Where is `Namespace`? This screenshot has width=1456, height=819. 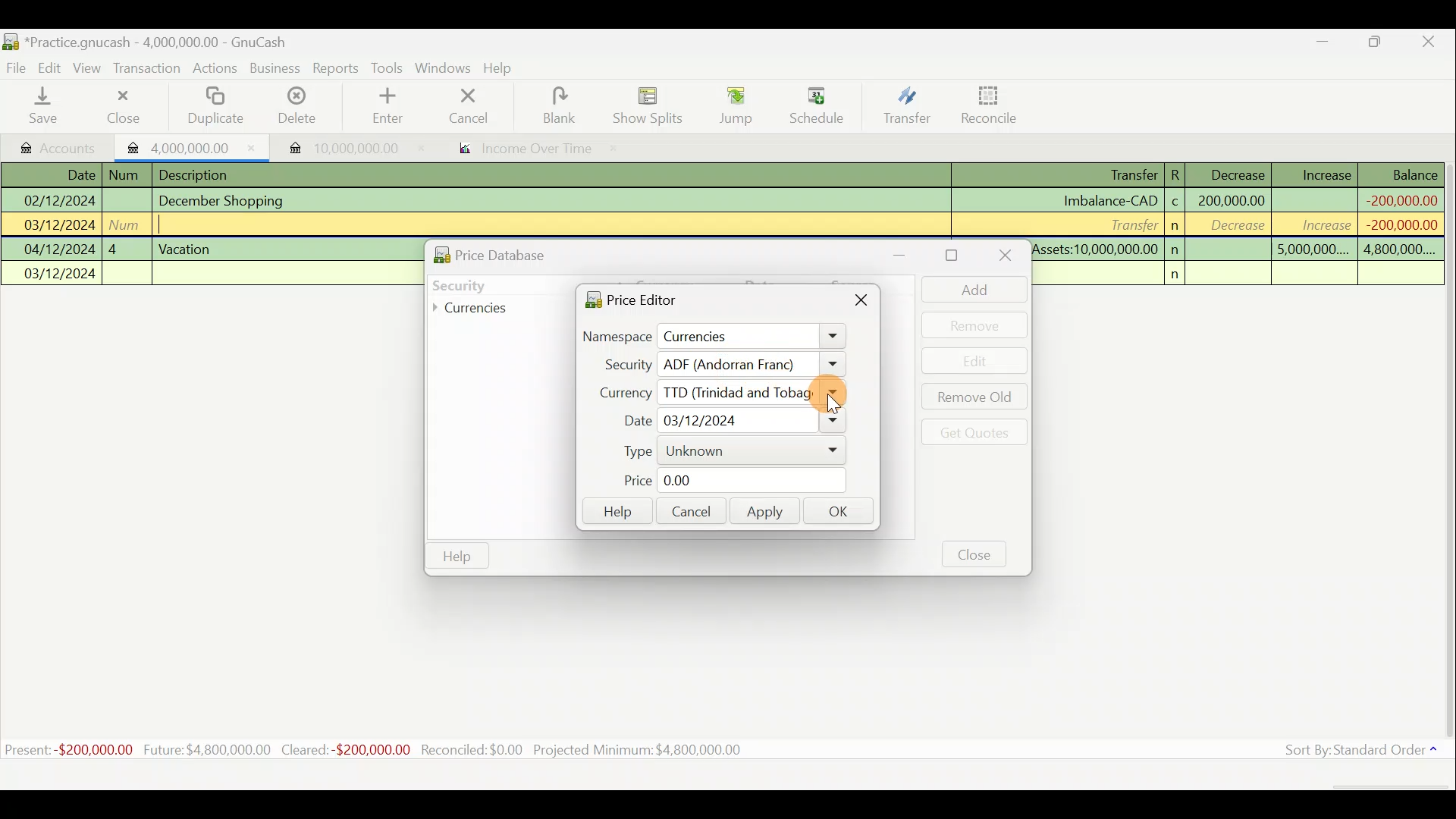 Namespace is located at coordinates (715, 337).